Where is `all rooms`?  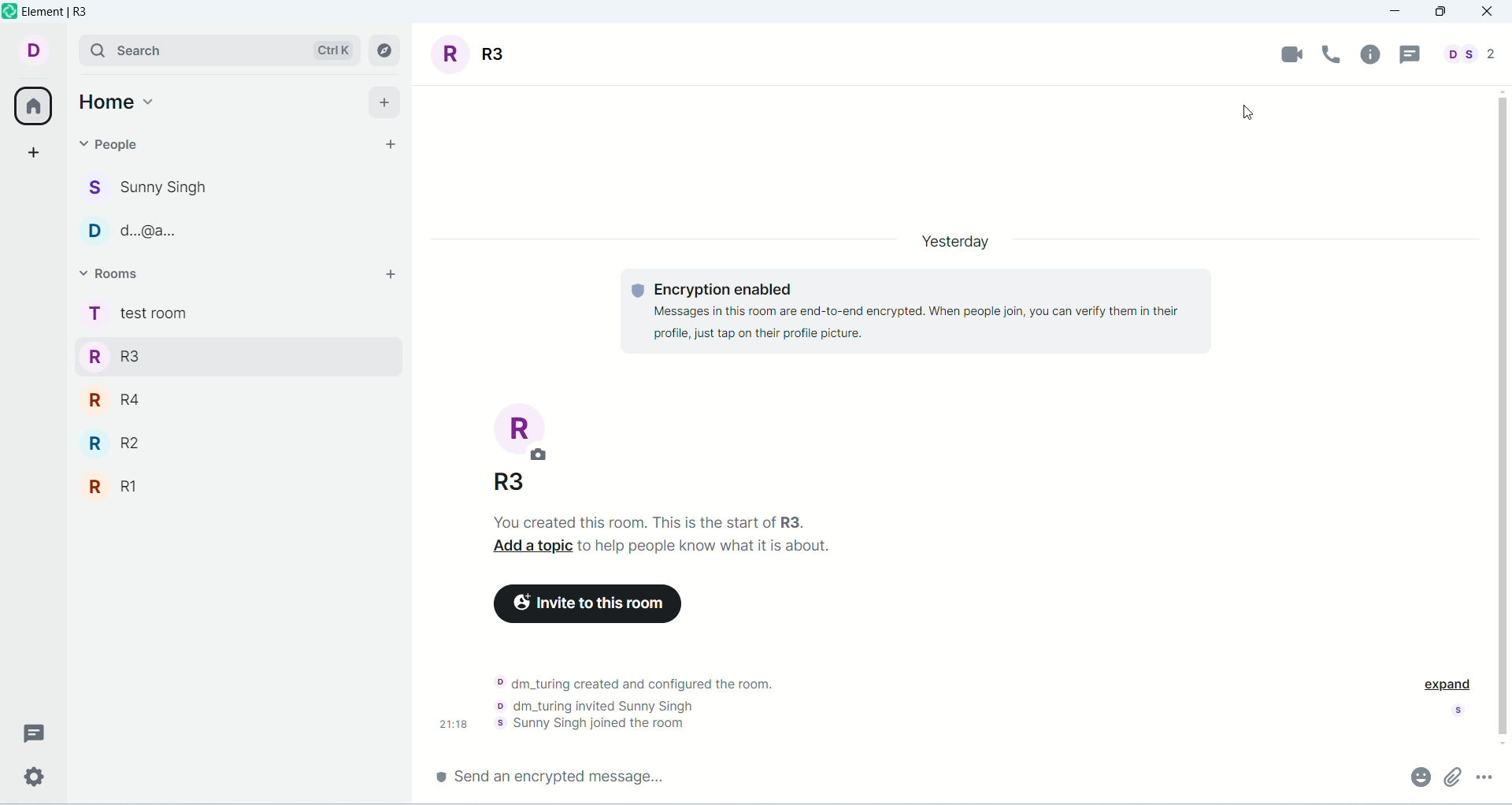
all rooms is located at coordinates (29, 106).